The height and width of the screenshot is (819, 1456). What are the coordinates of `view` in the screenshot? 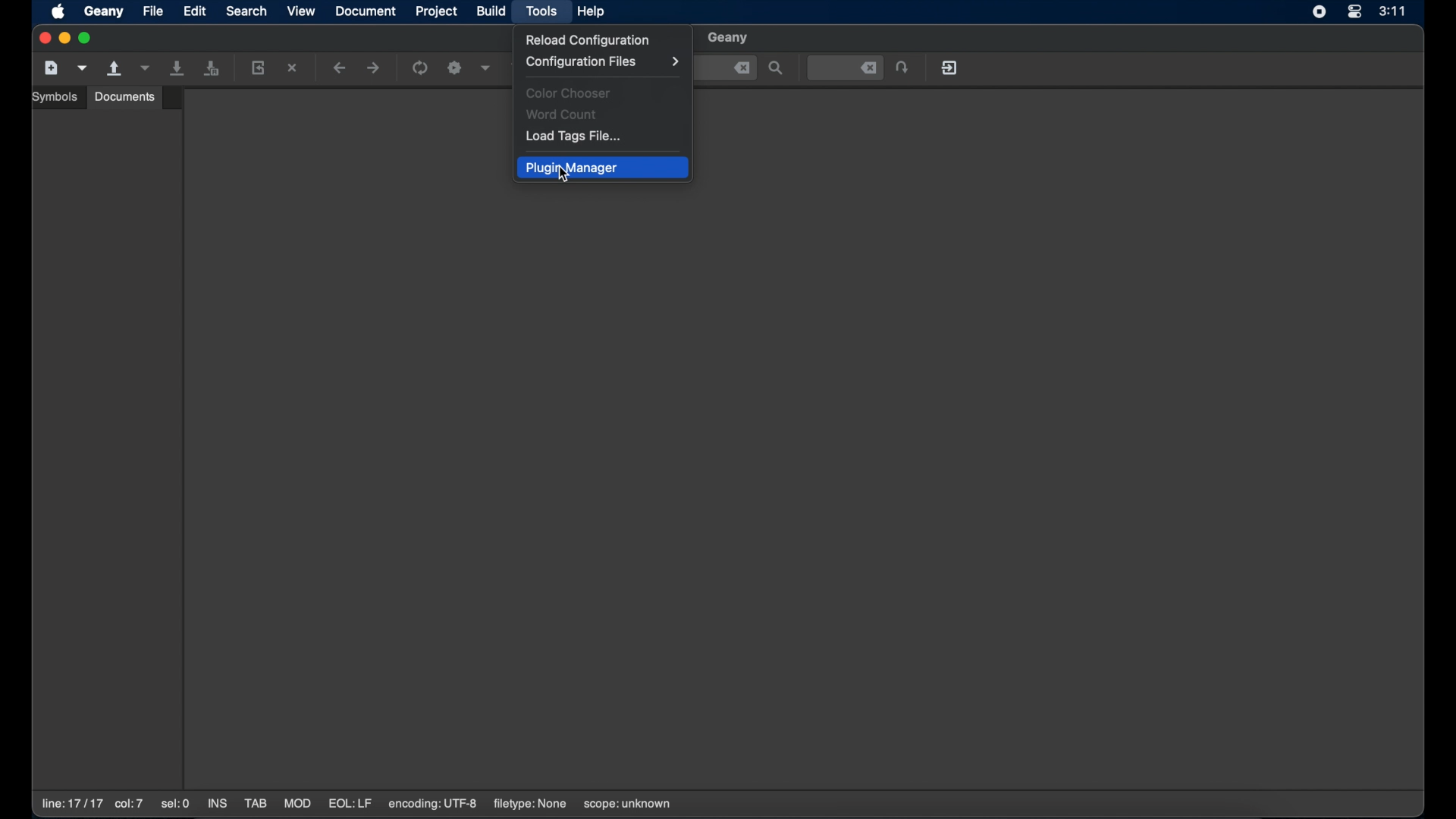 It's located at (302, 11).